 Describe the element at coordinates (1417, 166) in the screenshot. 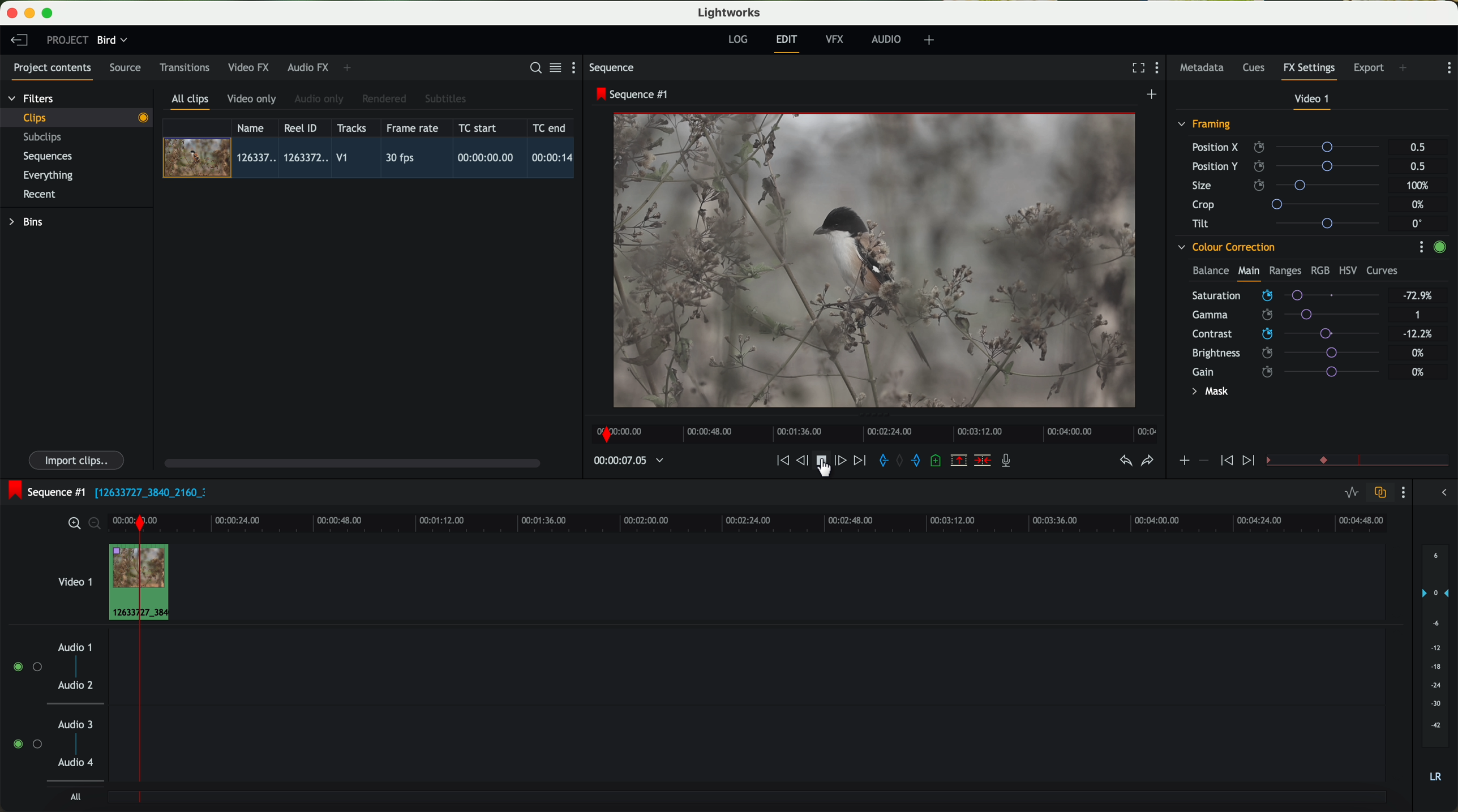

I see `0.5` at that location.